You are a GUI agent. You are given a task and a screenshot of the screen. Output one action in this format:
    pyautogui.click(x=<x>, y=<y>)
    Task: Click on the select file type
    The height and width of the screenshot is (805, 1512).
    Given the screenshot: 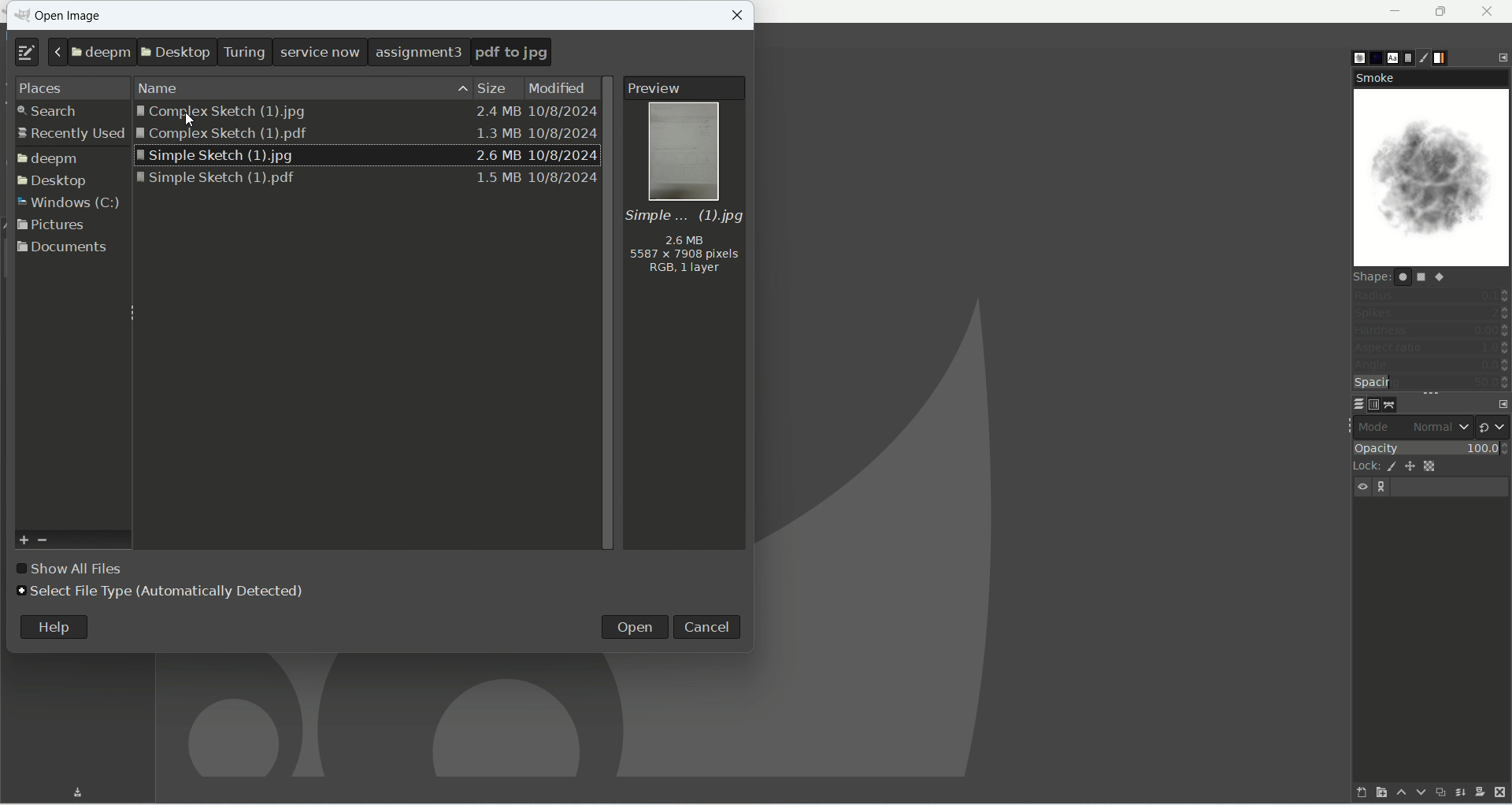 What is the action you would take?
    pyautogui.click(x=163, y=593)
    